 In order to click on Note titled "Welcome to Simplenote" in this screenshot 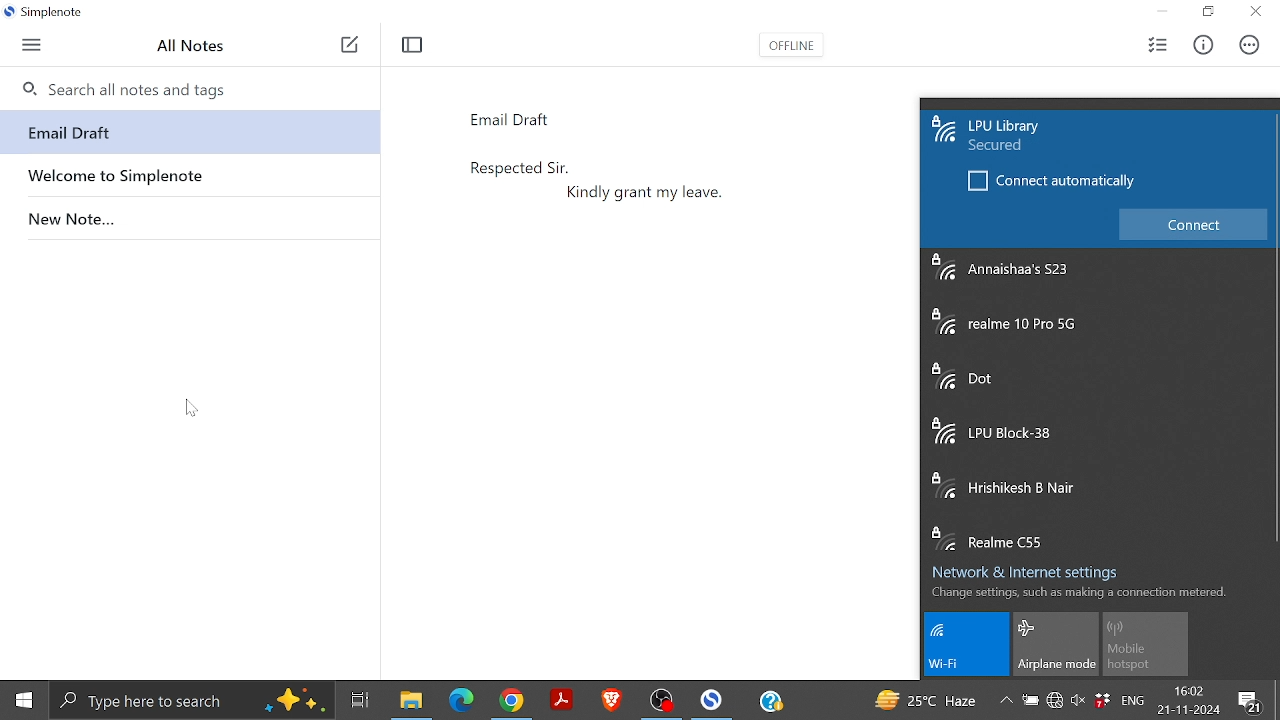, I will do `click(188, 173)`.